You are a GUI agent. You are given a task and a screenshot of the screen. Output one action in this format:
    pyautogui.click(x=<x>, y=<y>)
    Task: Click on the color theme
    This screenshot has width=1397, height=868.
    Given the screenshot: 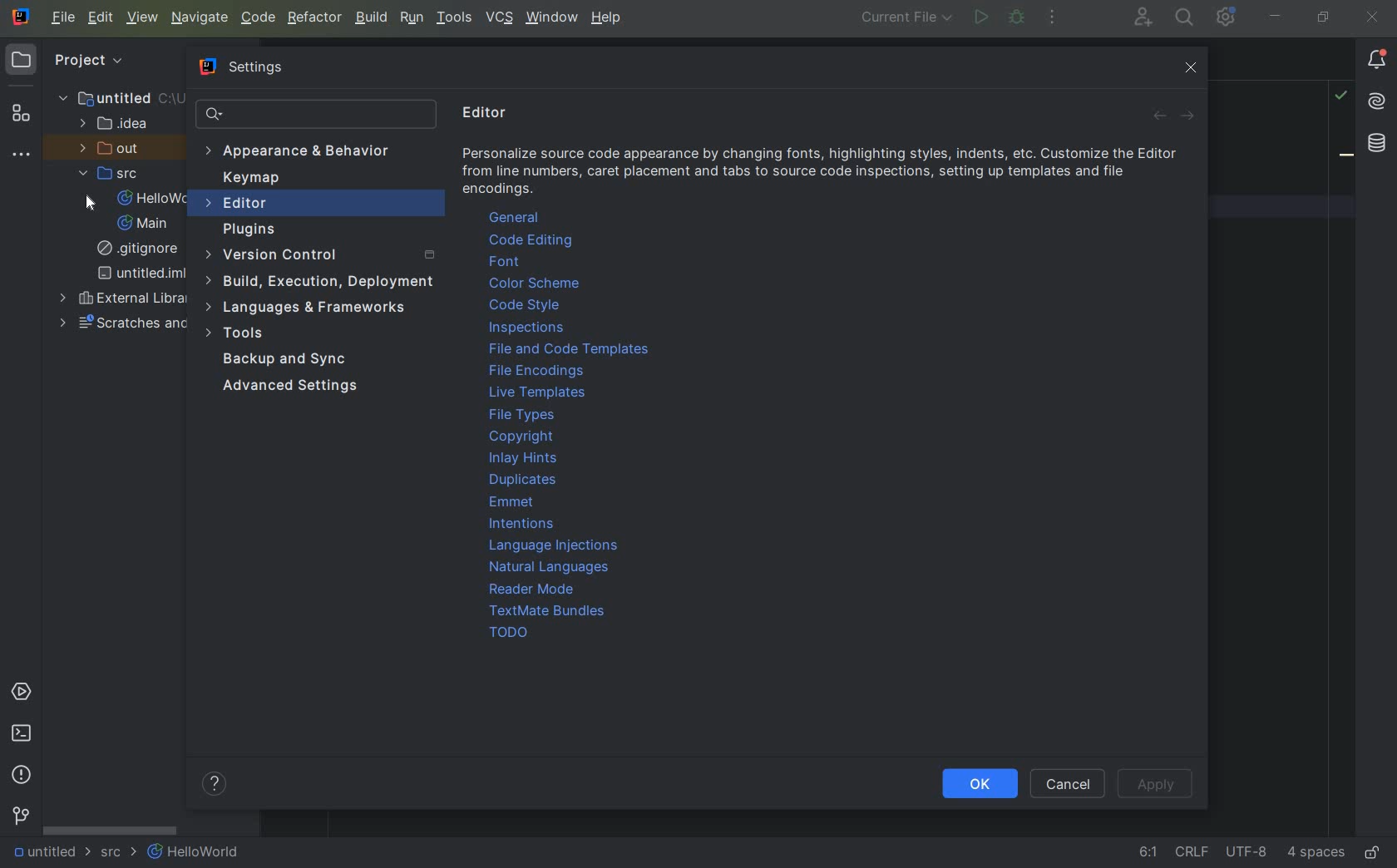 What is the action you would take?
    pyautogui.click(x=535, y=284)
    